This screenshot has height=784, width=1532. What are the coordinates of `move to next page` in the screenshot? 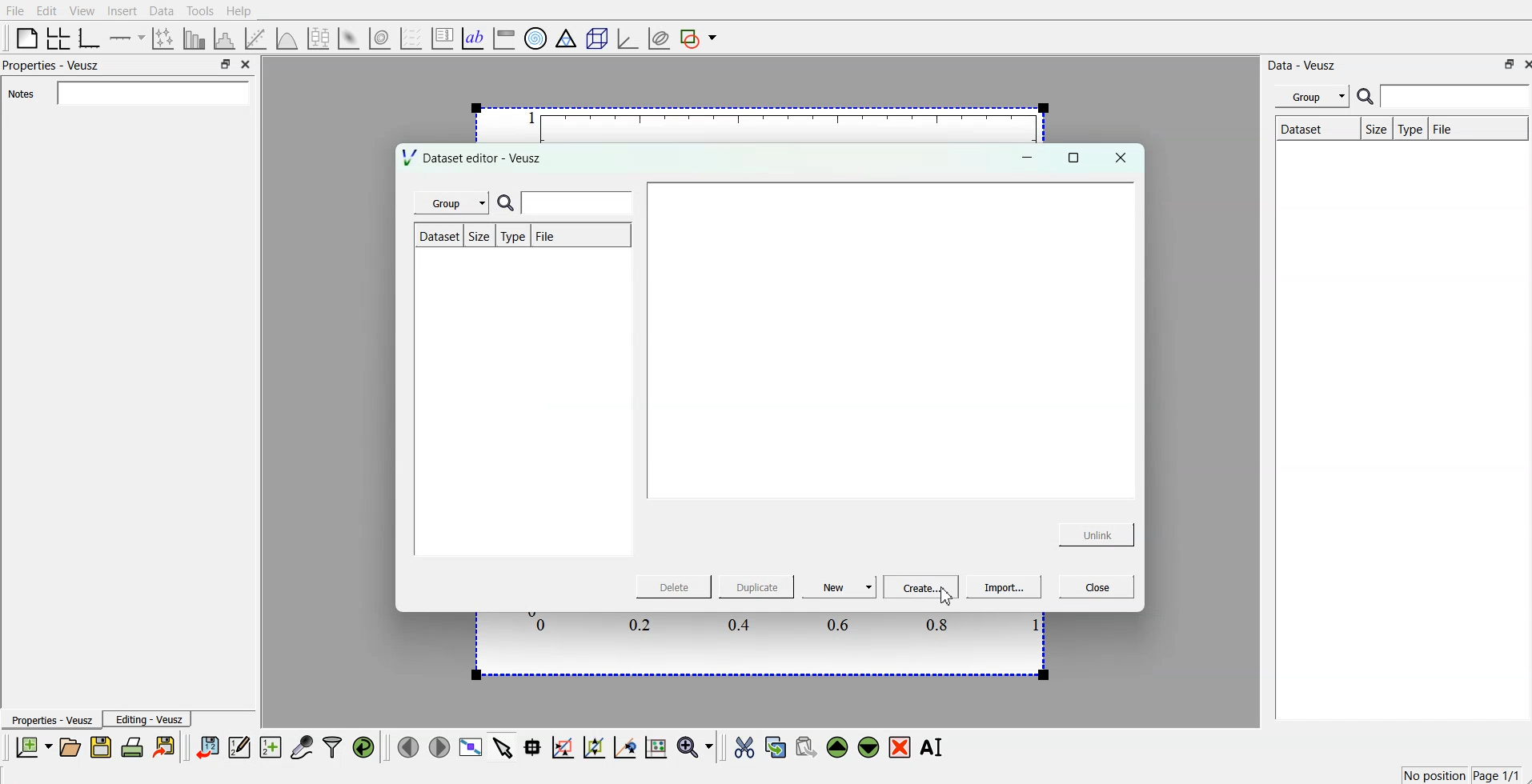 It's located at (439, 746).